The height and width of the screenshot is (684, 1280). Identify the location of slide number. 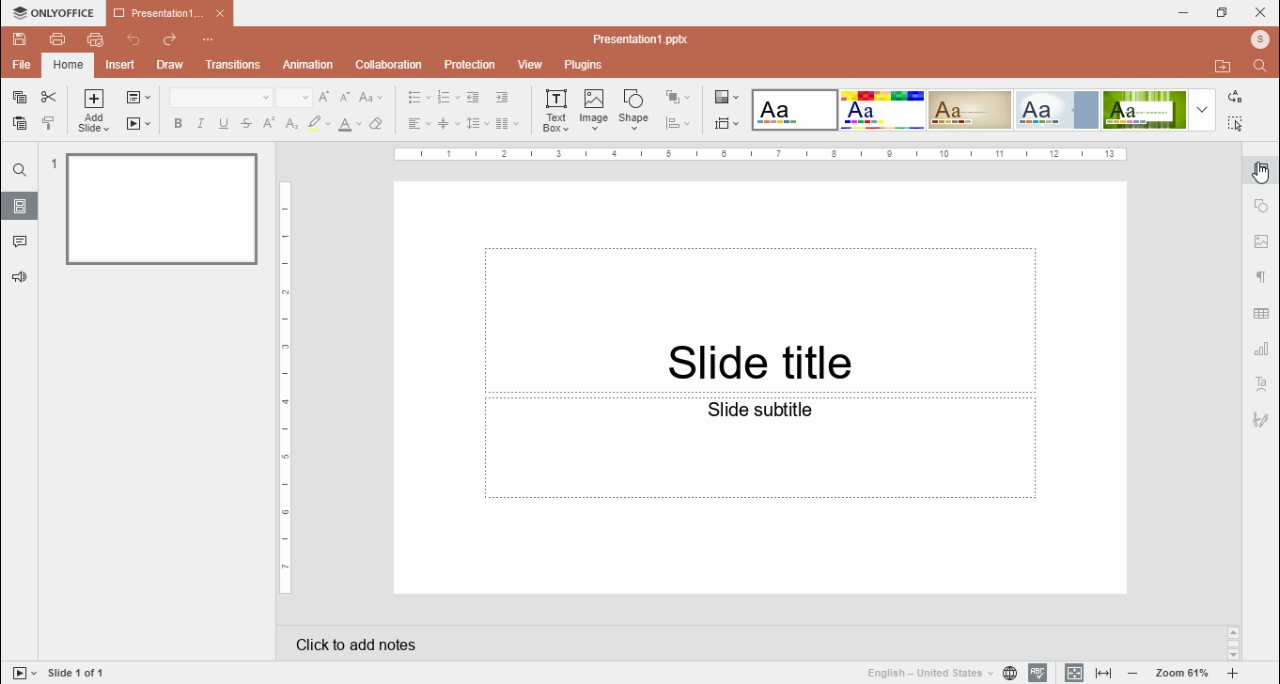
(83, 671).